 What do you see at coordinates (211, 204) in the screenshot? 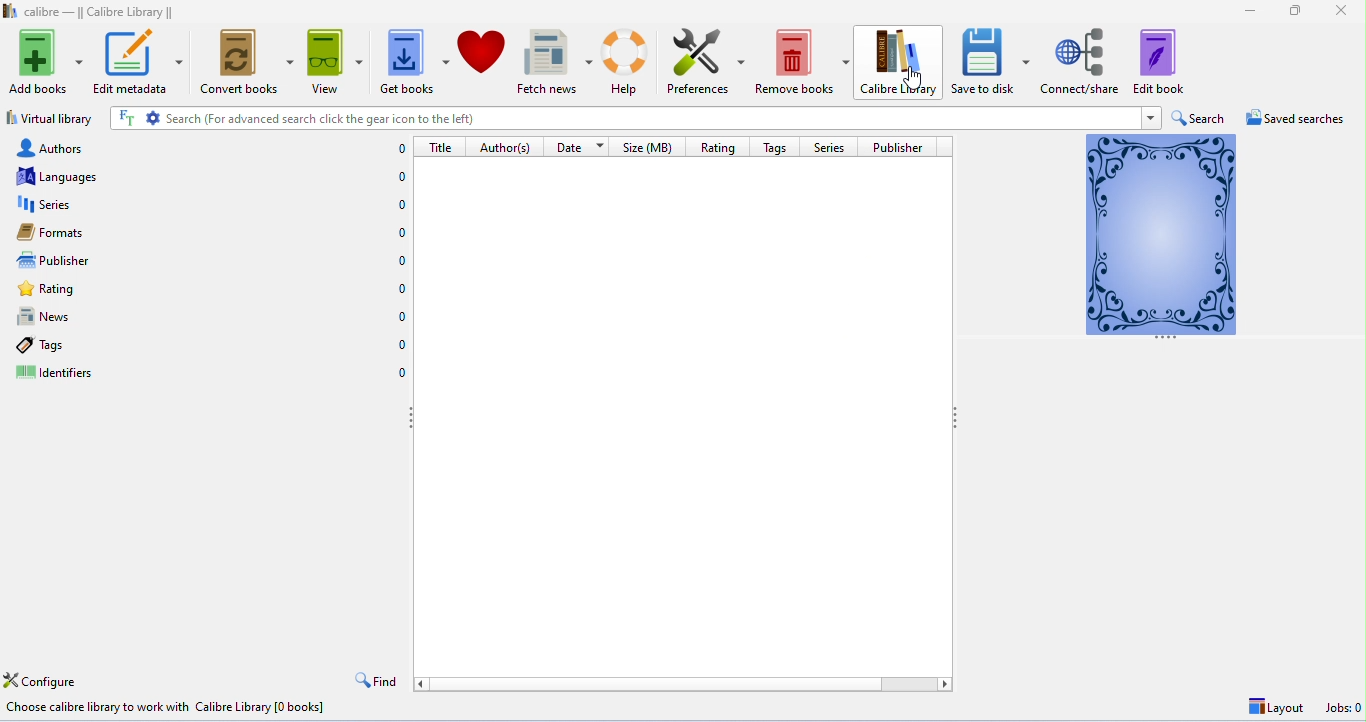
I see `series` at bounding box center [211, 204].